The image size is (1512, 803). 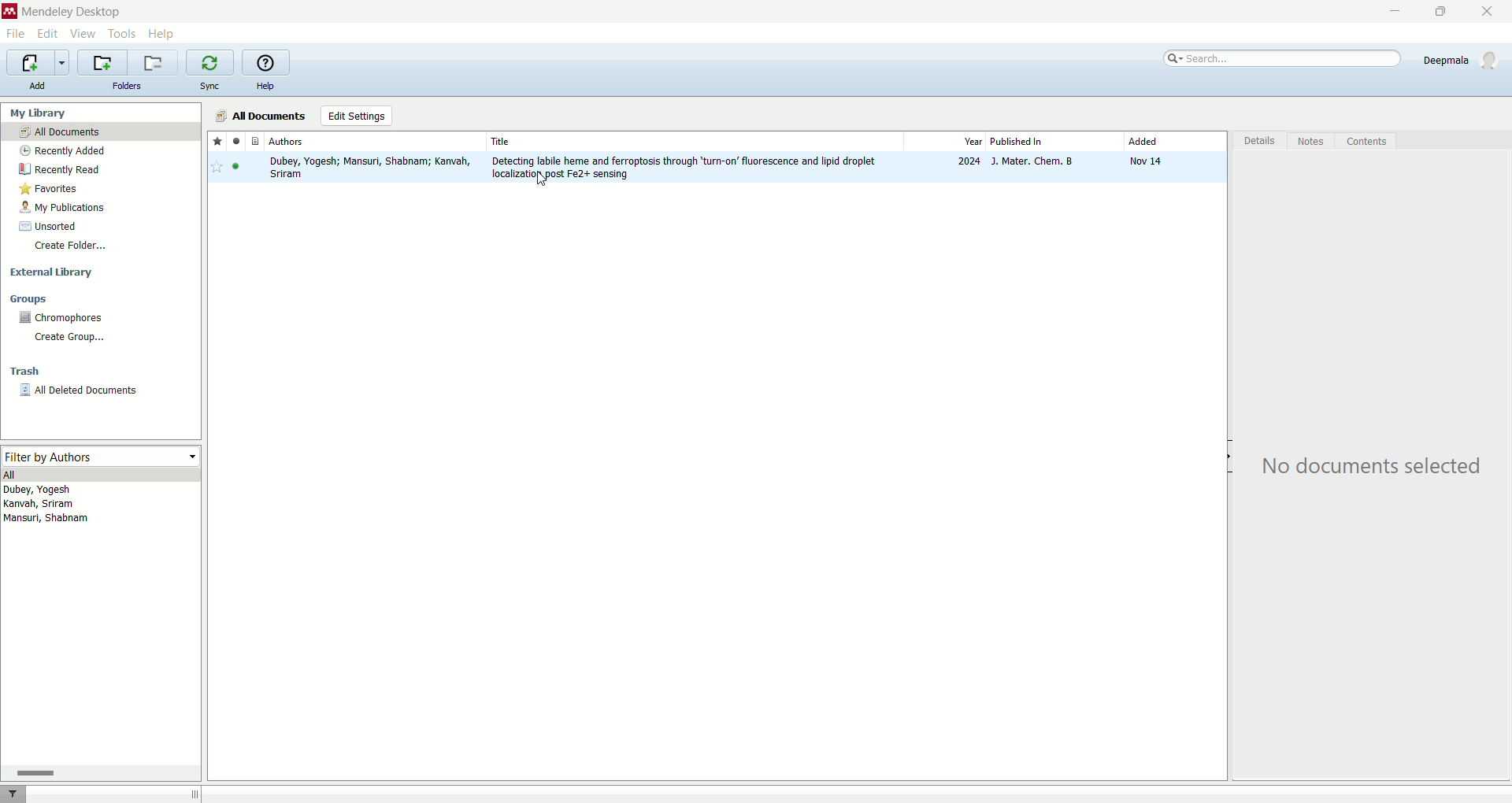 What do you see at coordinates (1377, 468) in the screenshot?
I see `No documents selected` at bounding box center [1377, 468].